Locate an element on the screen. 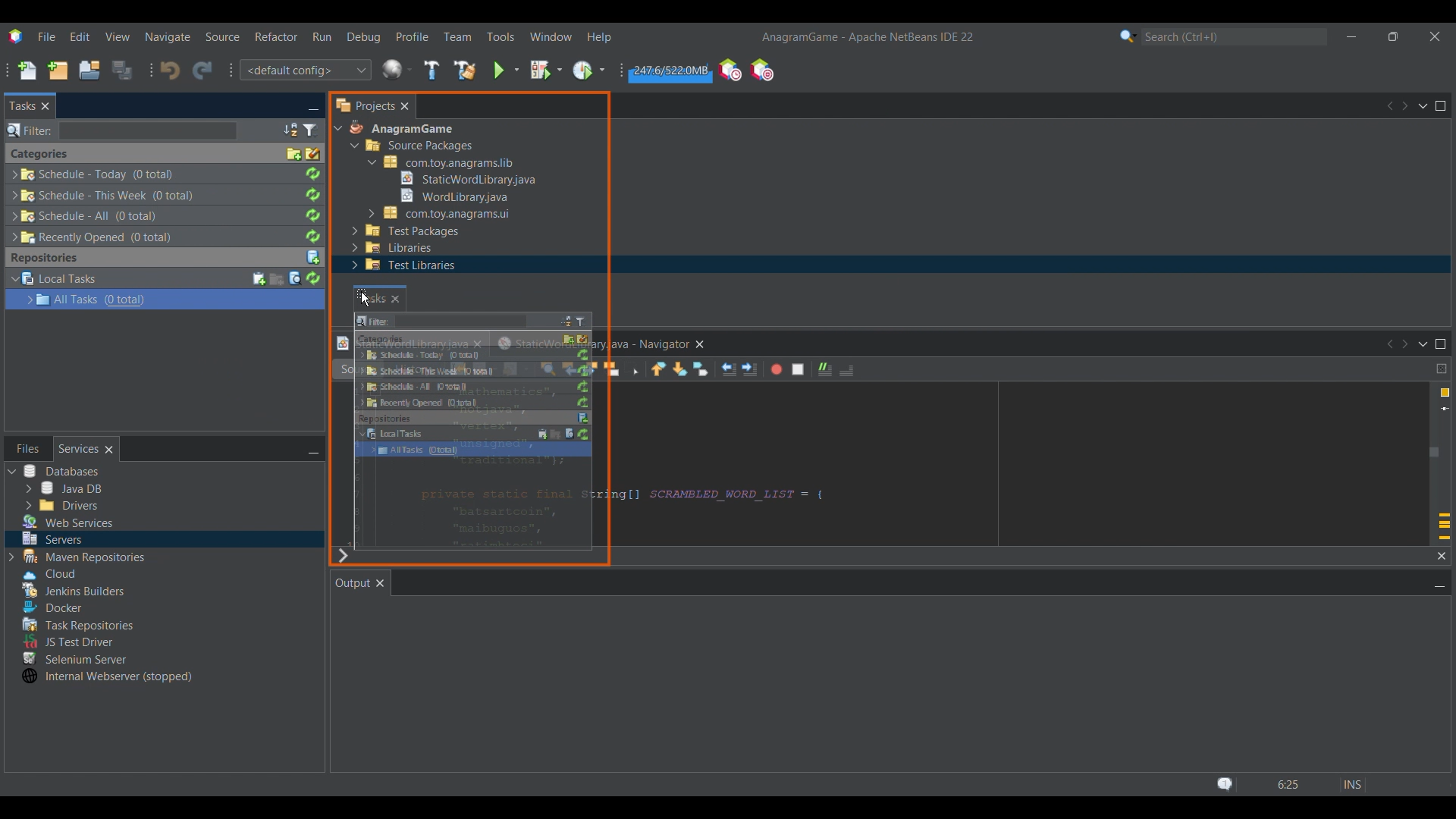 The image size is (1456, 819). Profile the IDE is located at coordinates (730, 69).